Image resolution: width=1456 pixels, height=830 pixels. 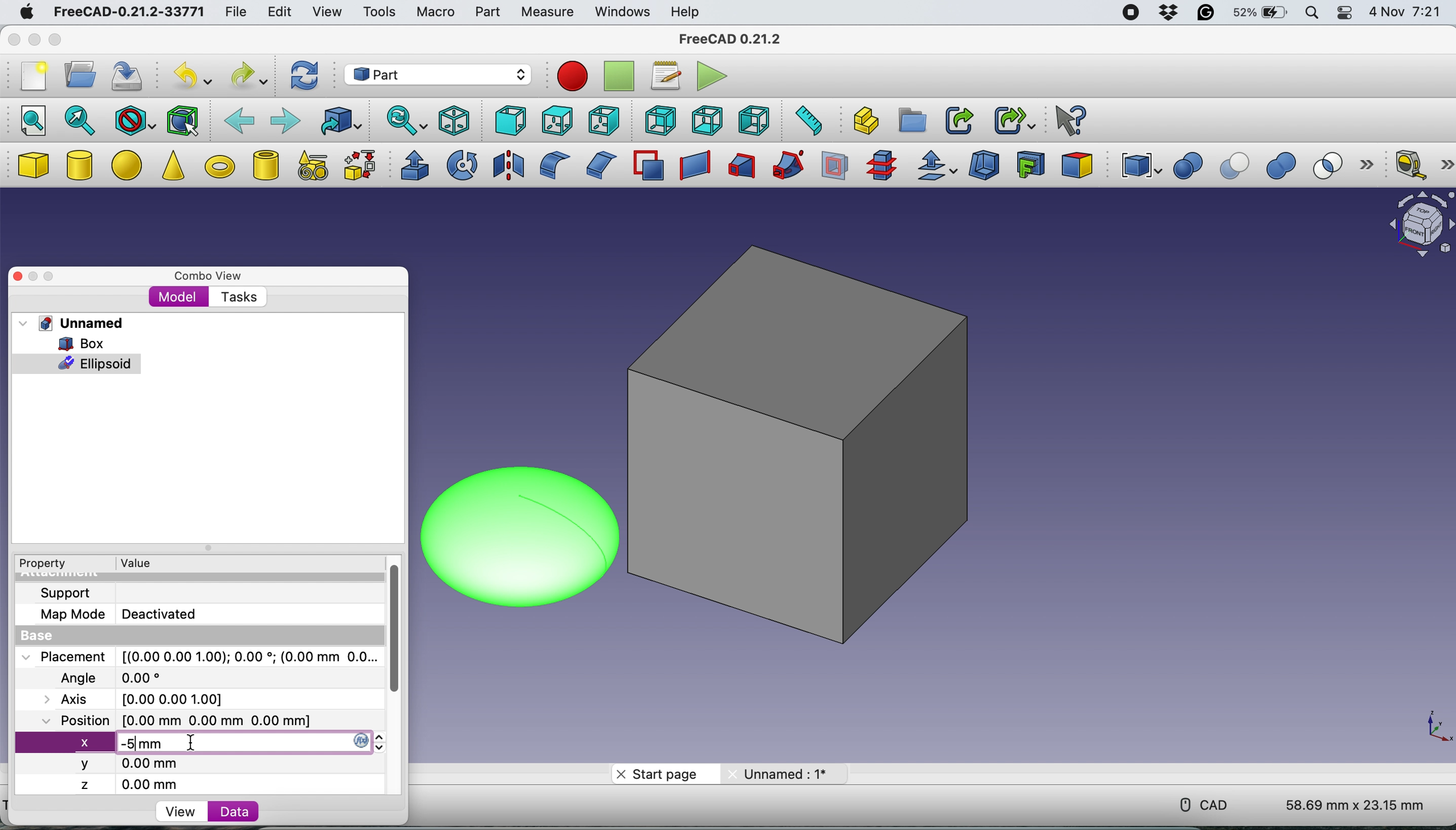 I want to click on bounding box, so click(x=183, y=120).